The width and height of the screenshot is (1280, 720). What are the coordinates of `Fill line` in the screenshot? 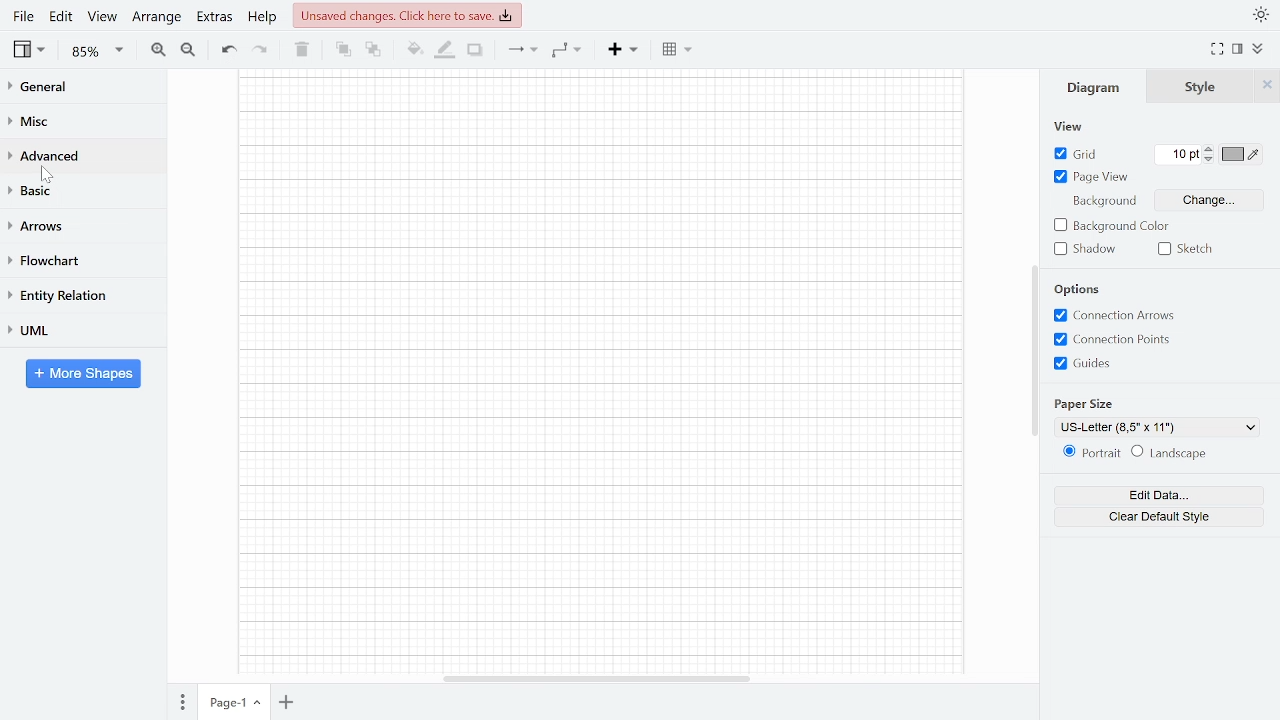 It's located at (444, 52).